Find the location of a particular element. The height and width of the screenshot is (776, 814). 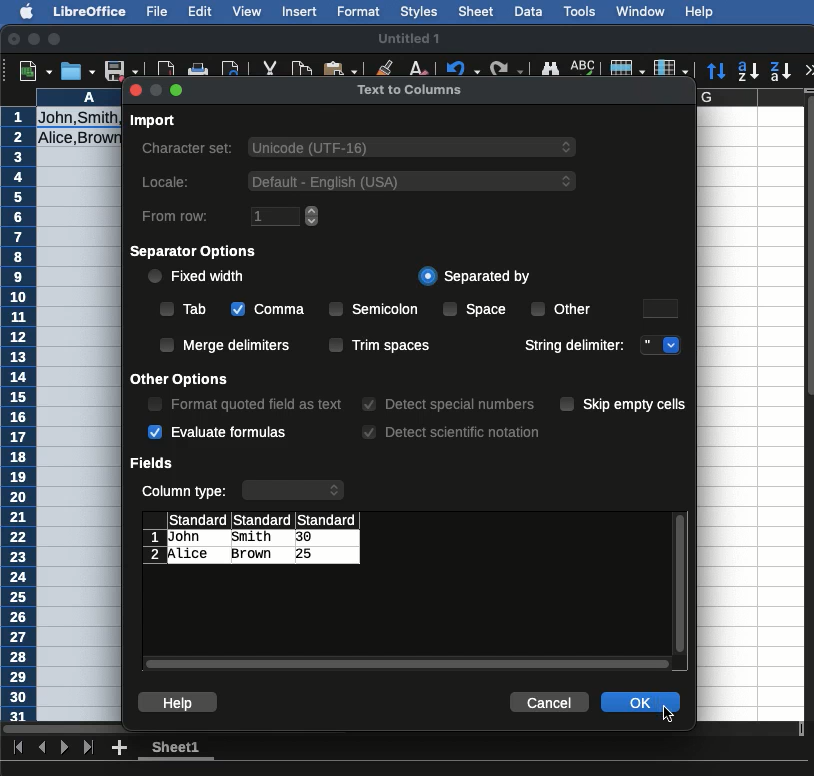

Maximize is located at coordinates (55, 39).